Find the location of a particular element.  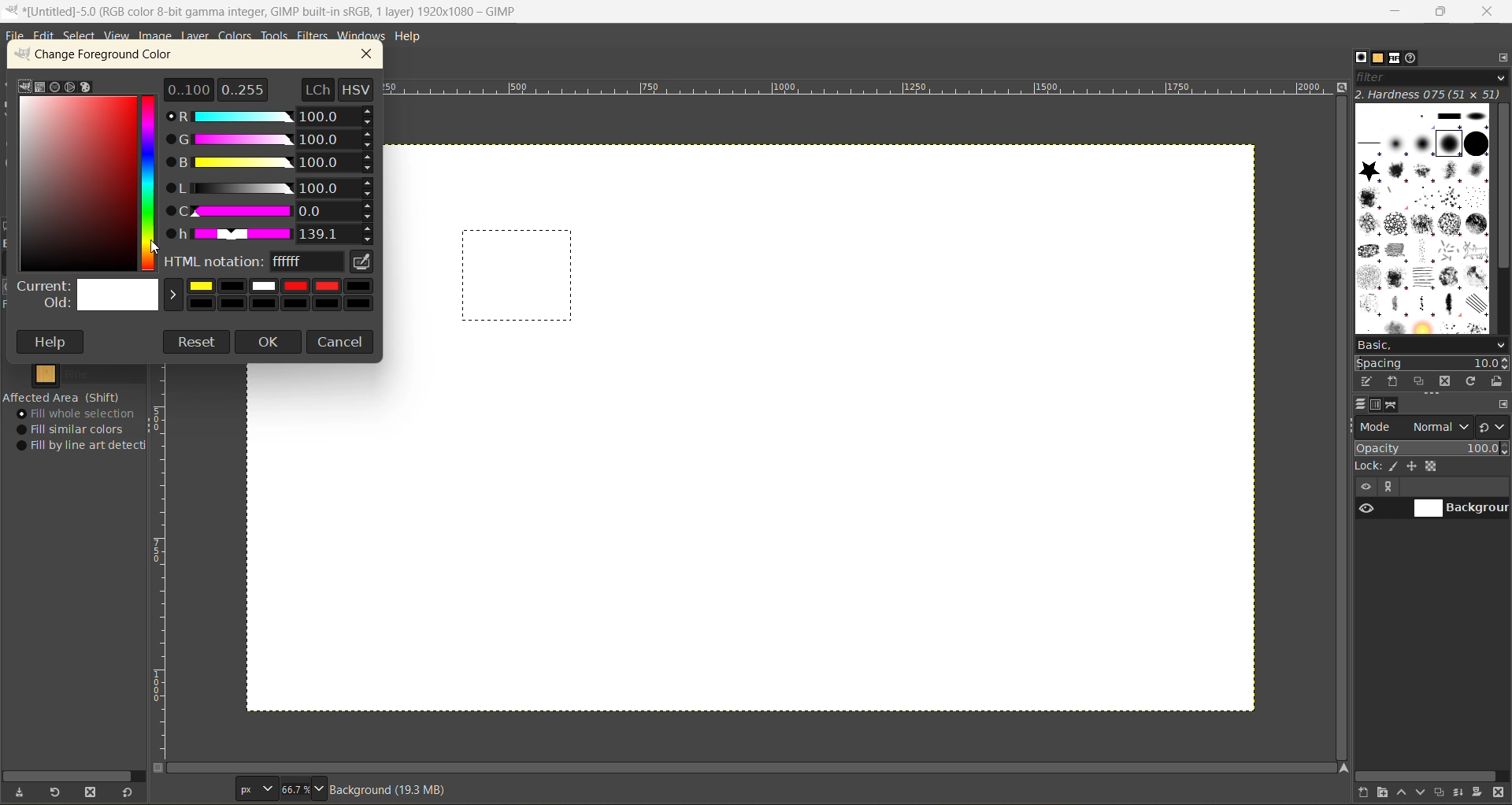

reset to default values is located at coordinates (130, 793).